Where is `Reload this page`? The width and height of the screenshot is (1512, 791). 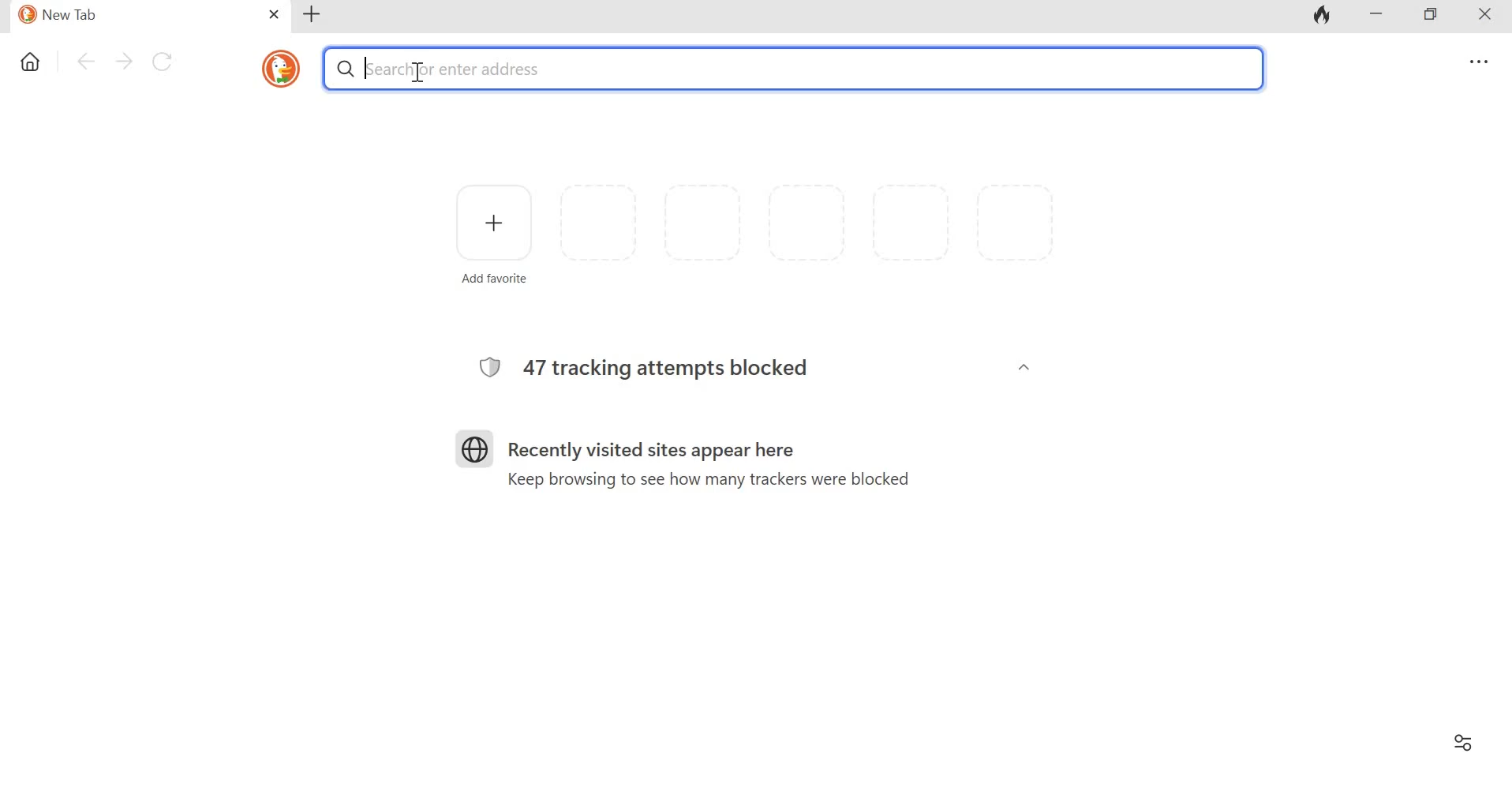 Reload this page is located at coordinates (167, 62).